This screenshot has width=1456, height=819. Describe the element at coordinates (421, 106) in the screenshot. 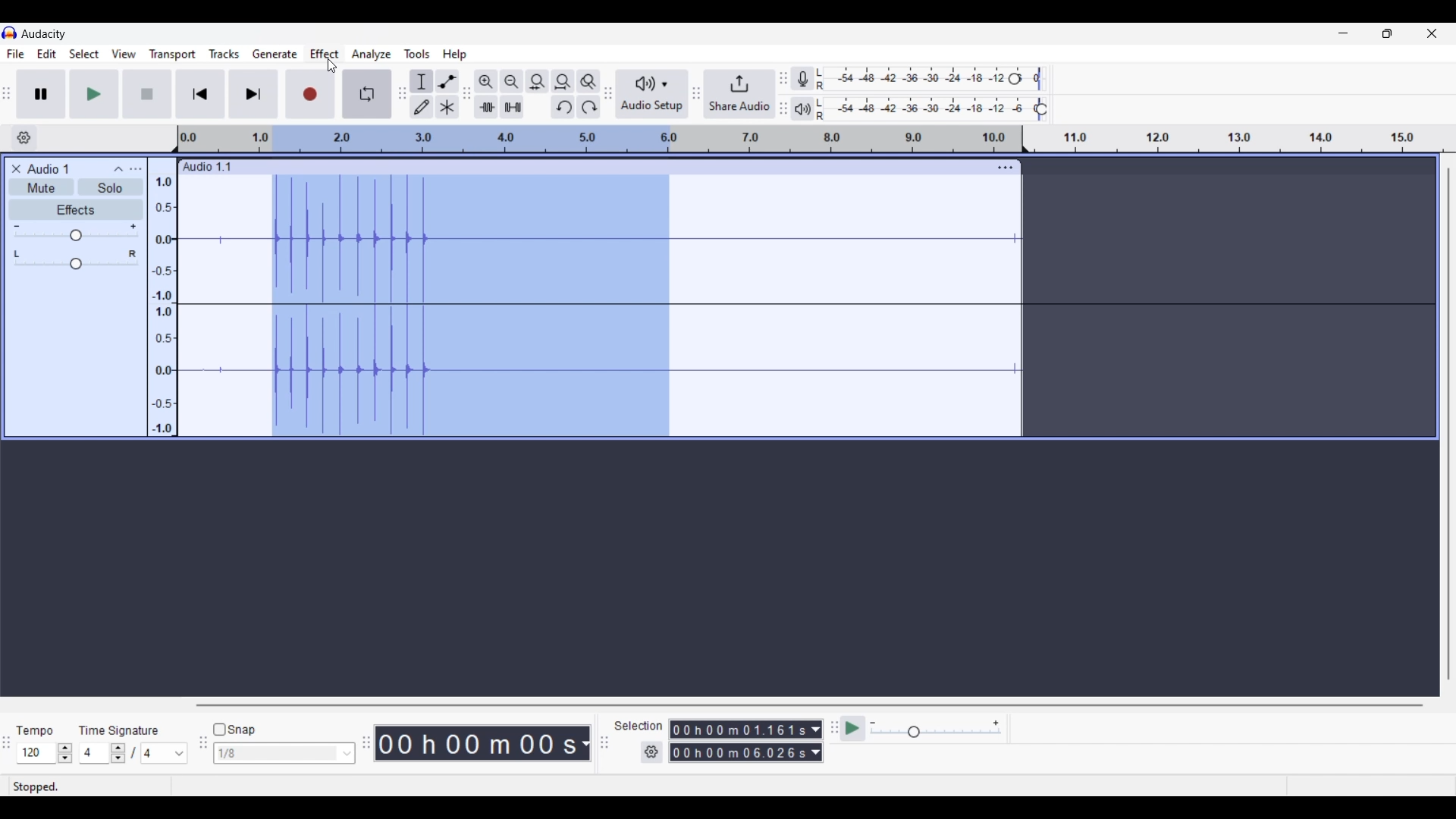

I see `Draw tool` at that location.